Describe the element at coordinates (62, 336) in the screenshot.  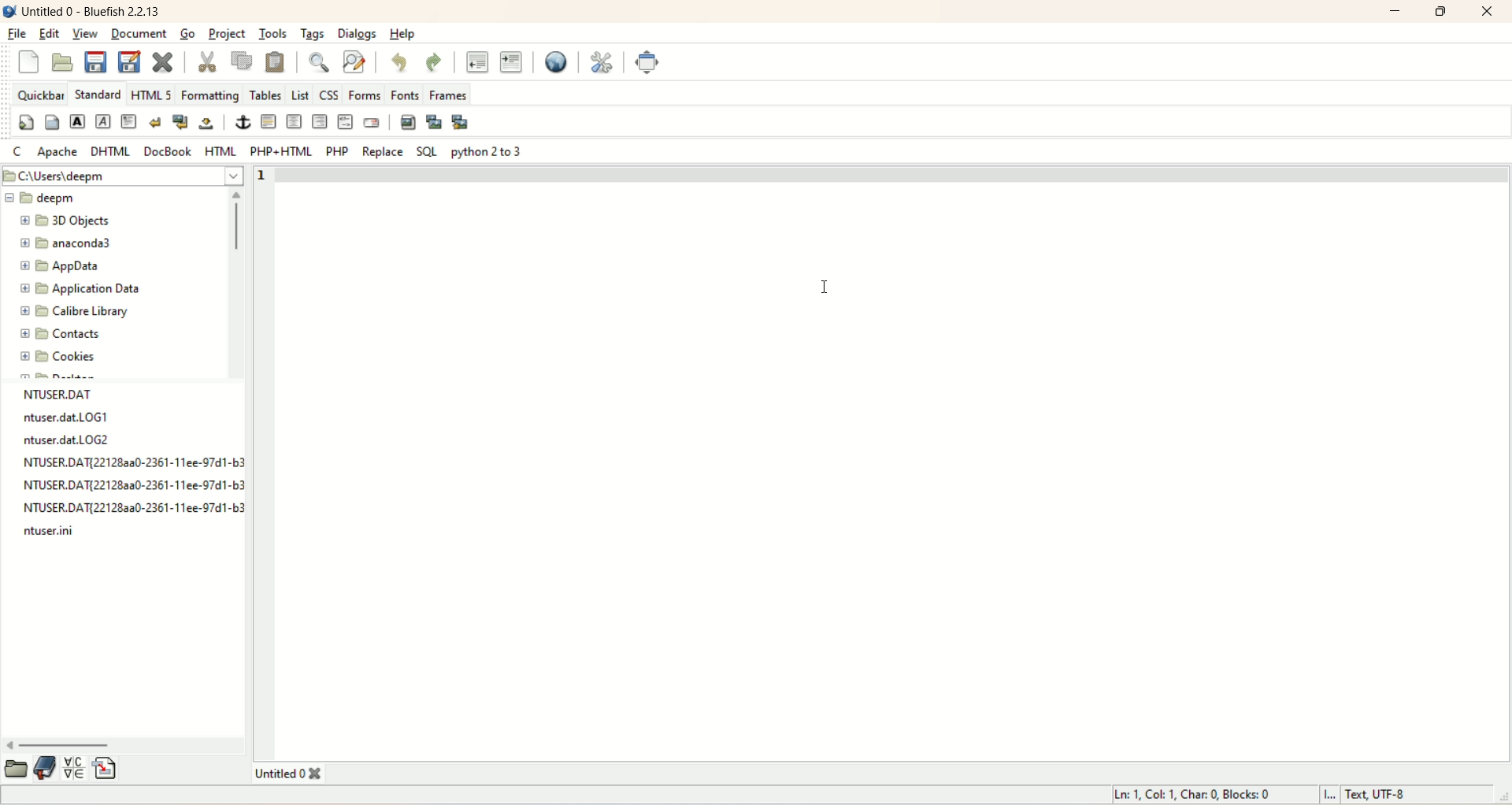
I see `contacts` at that location.